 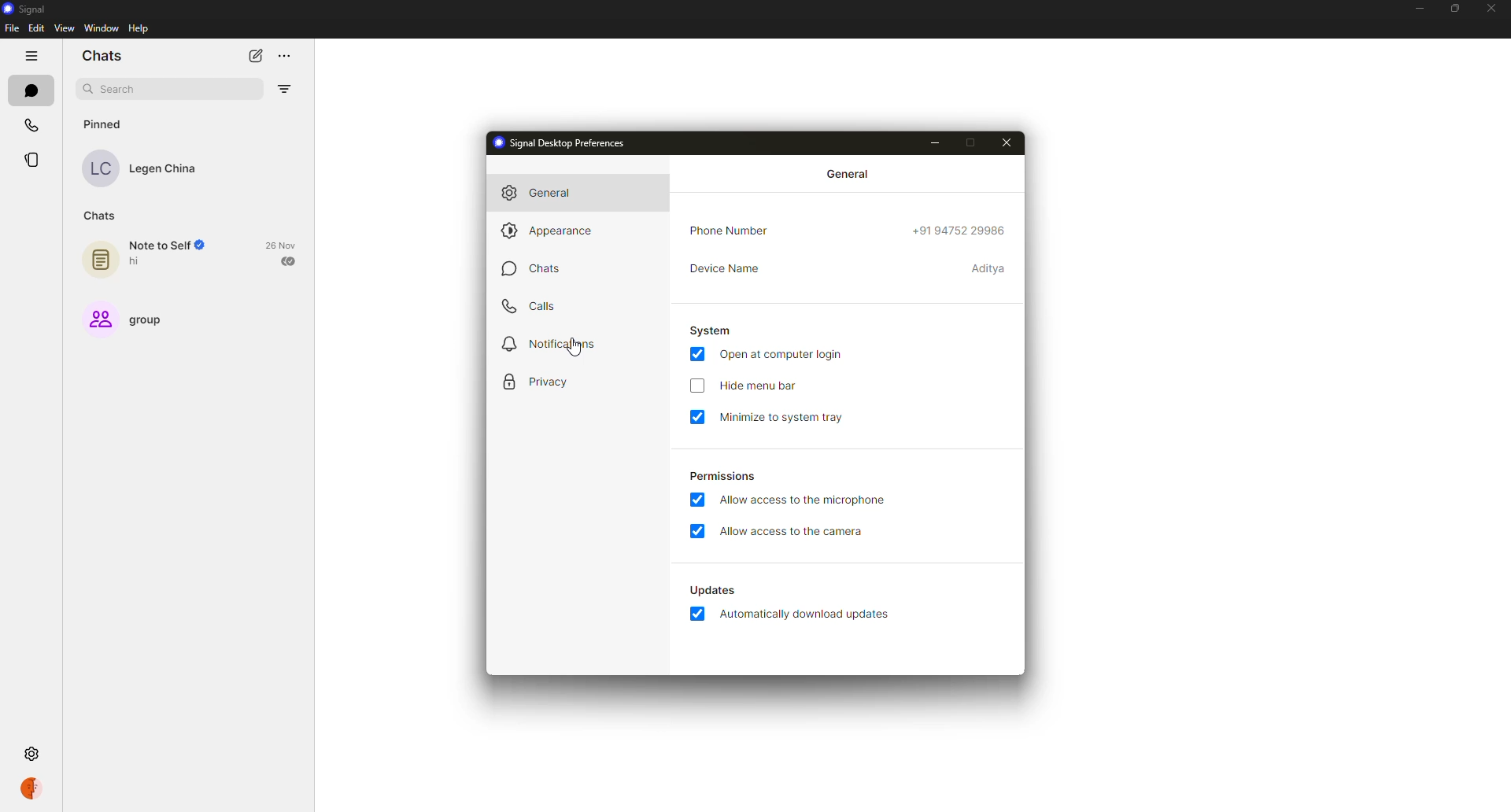 I want to click on filter, so click(x=281, y=88).